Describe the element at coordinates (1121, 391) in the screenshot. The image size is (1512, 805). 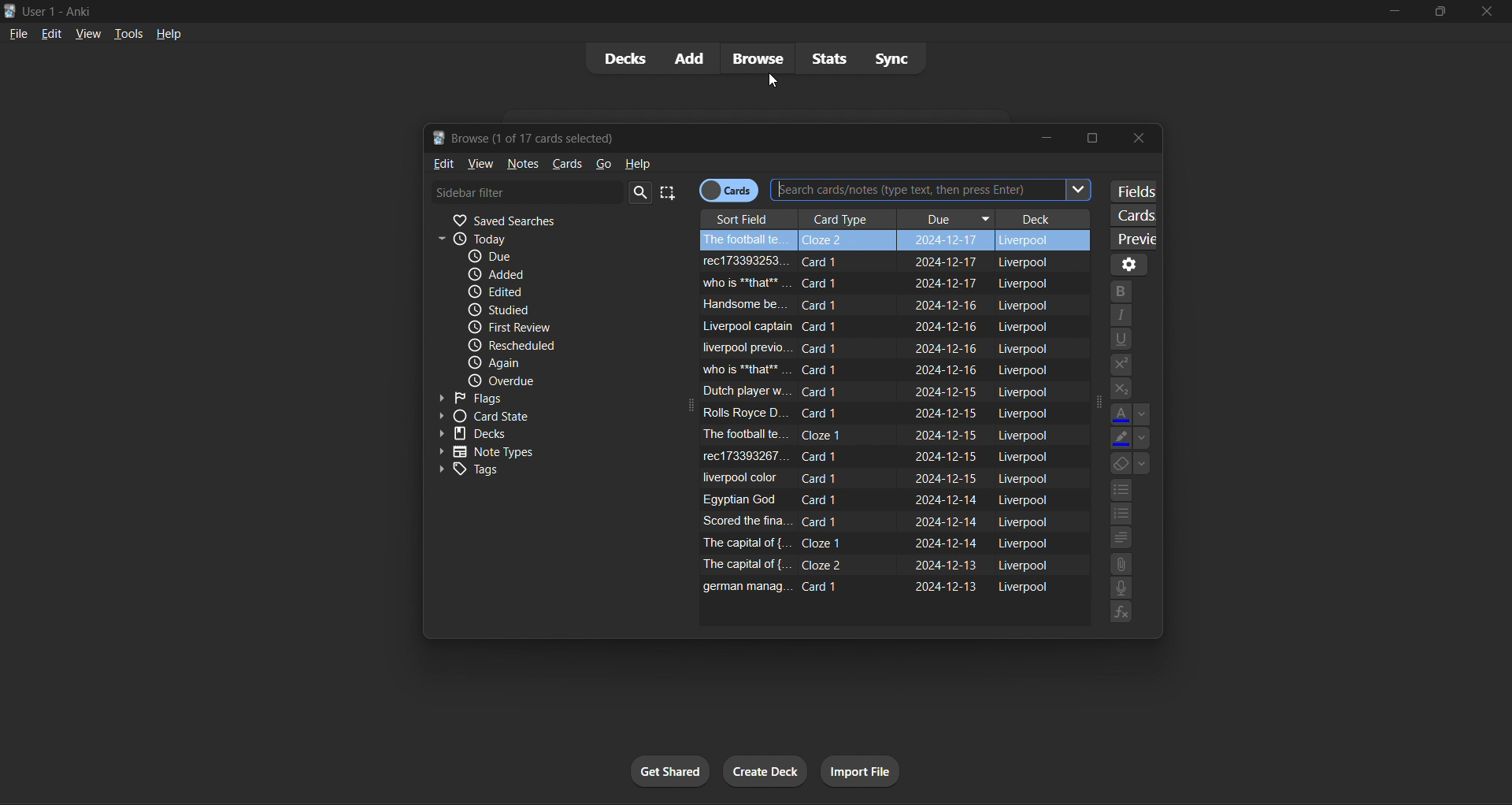
I see `prefix` at that location.